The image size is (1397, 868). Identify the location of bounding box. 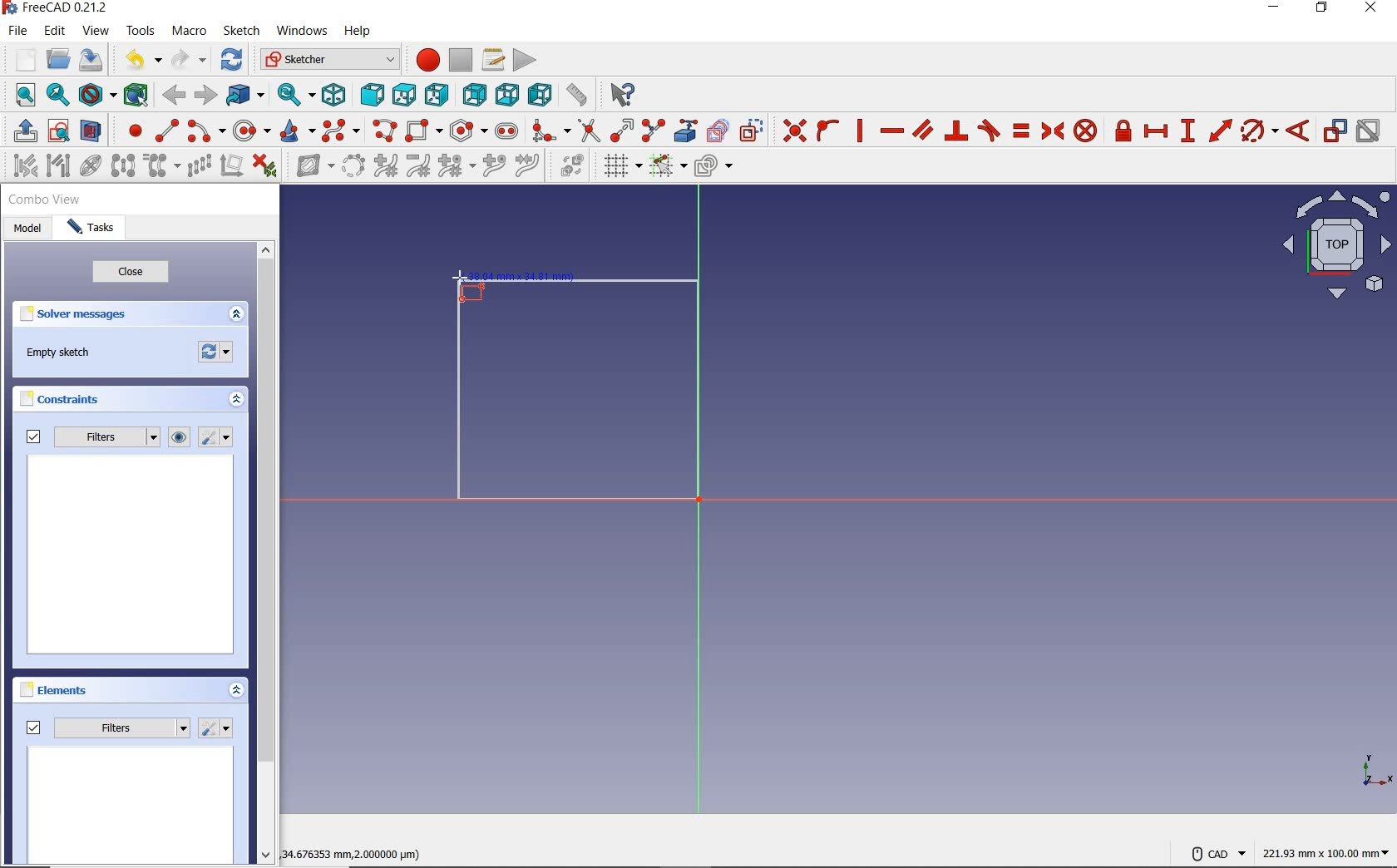
(133, 94).